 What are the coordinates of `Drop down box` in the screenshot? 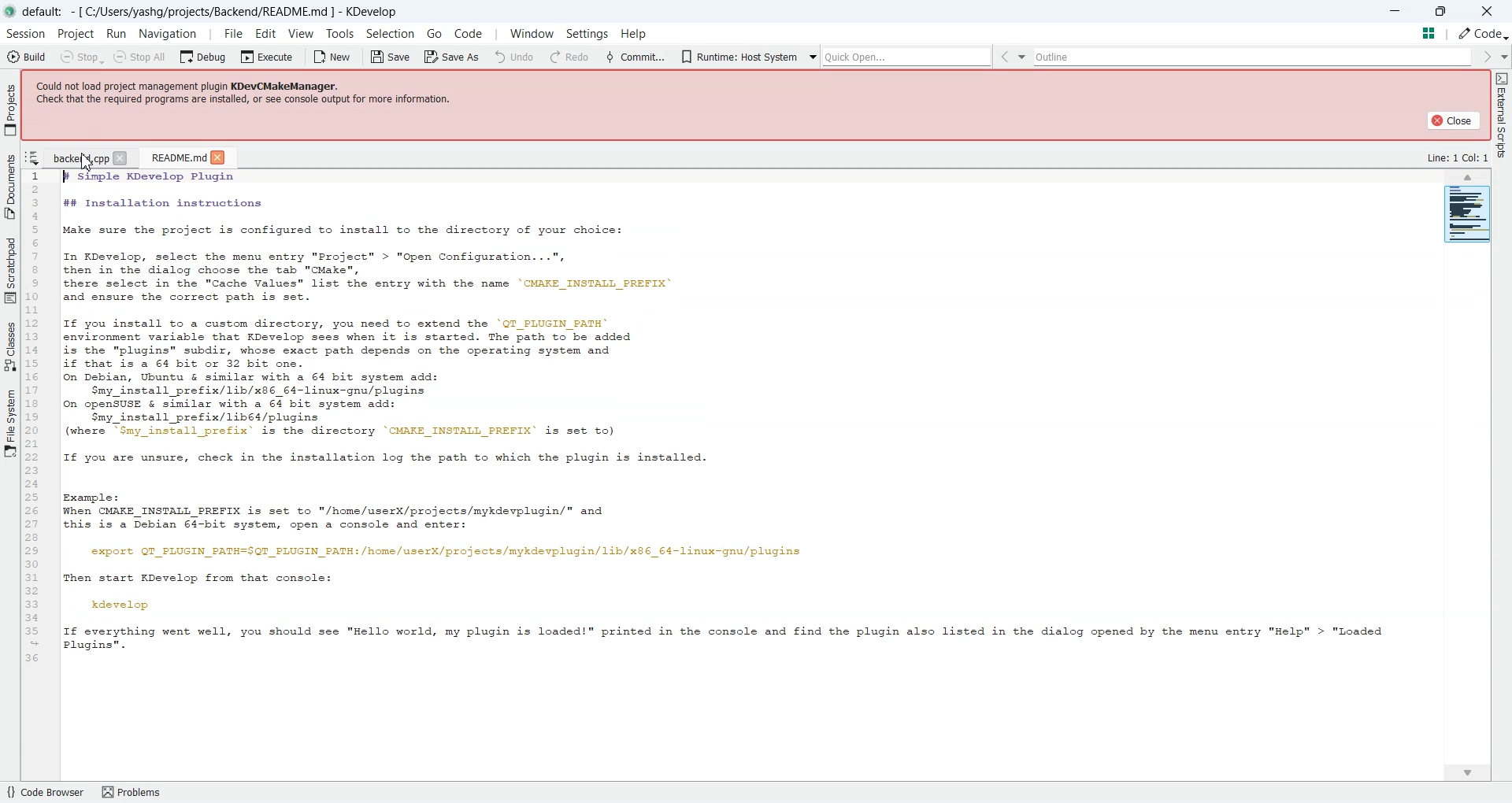 It's located at (1306, 56).